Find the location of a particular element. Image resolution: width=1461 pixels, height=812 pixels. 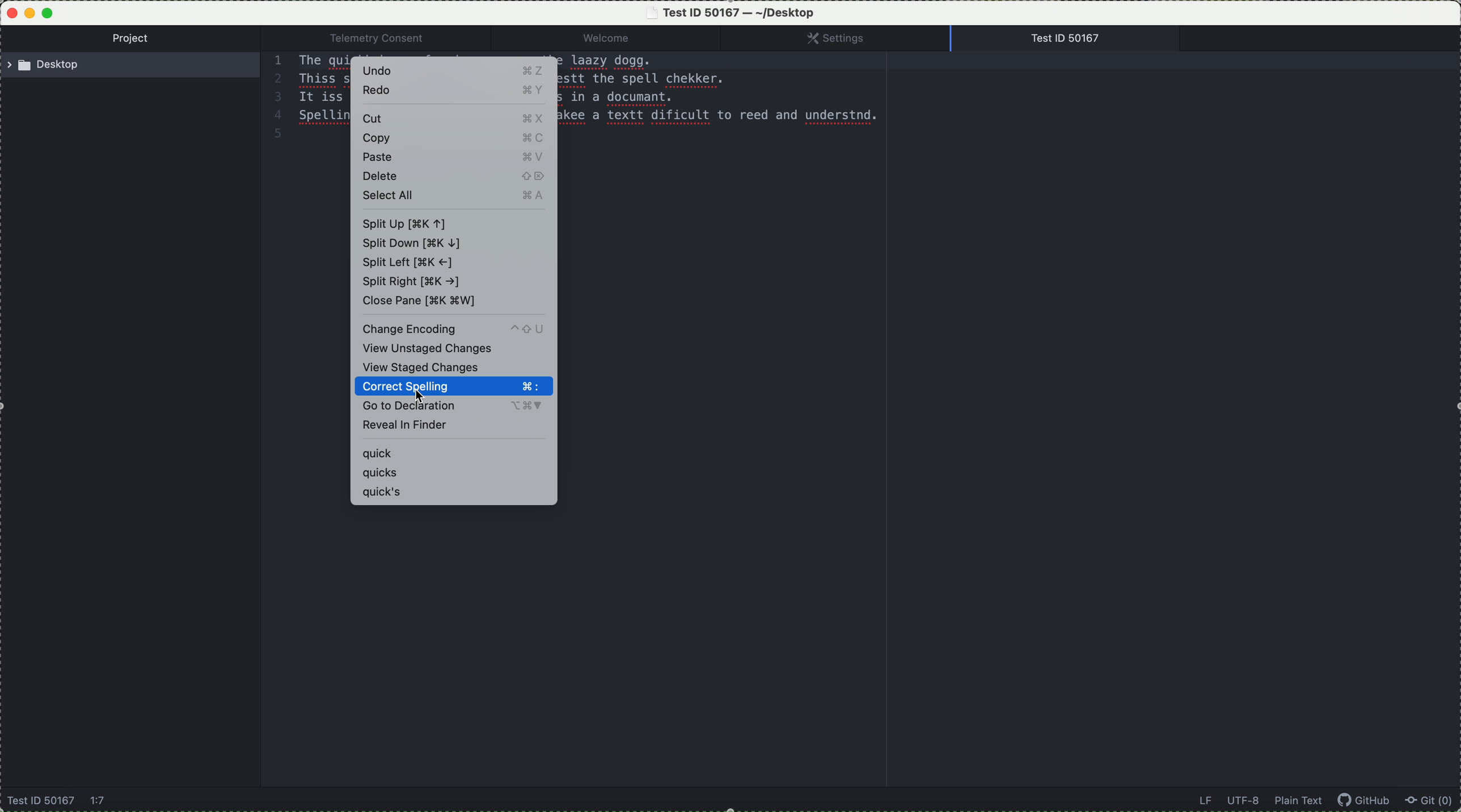

desktop location is located at coordinates (134, 67).